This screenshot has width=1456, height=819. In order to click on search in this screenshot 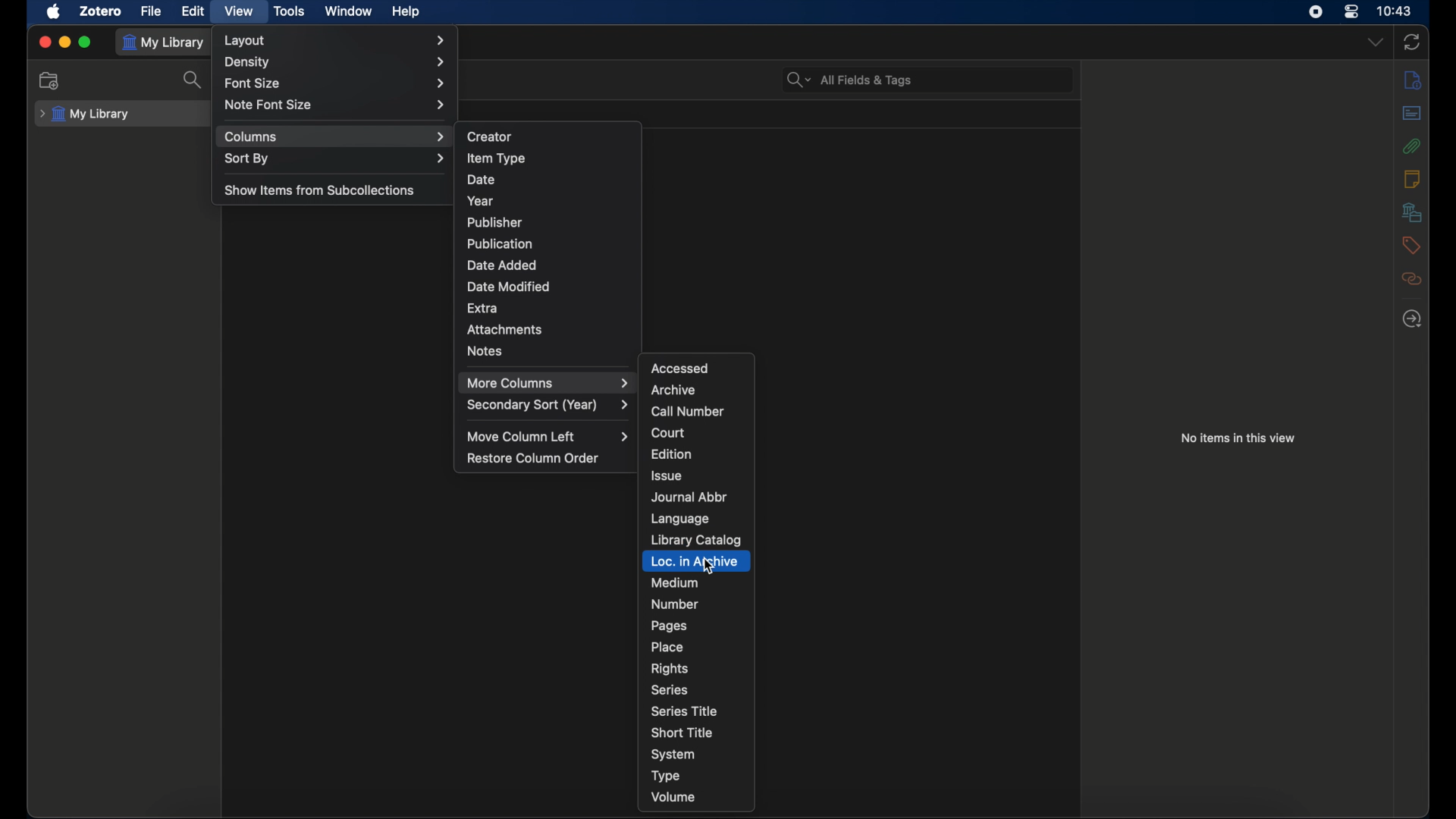, I will do `click(194, 80)`.